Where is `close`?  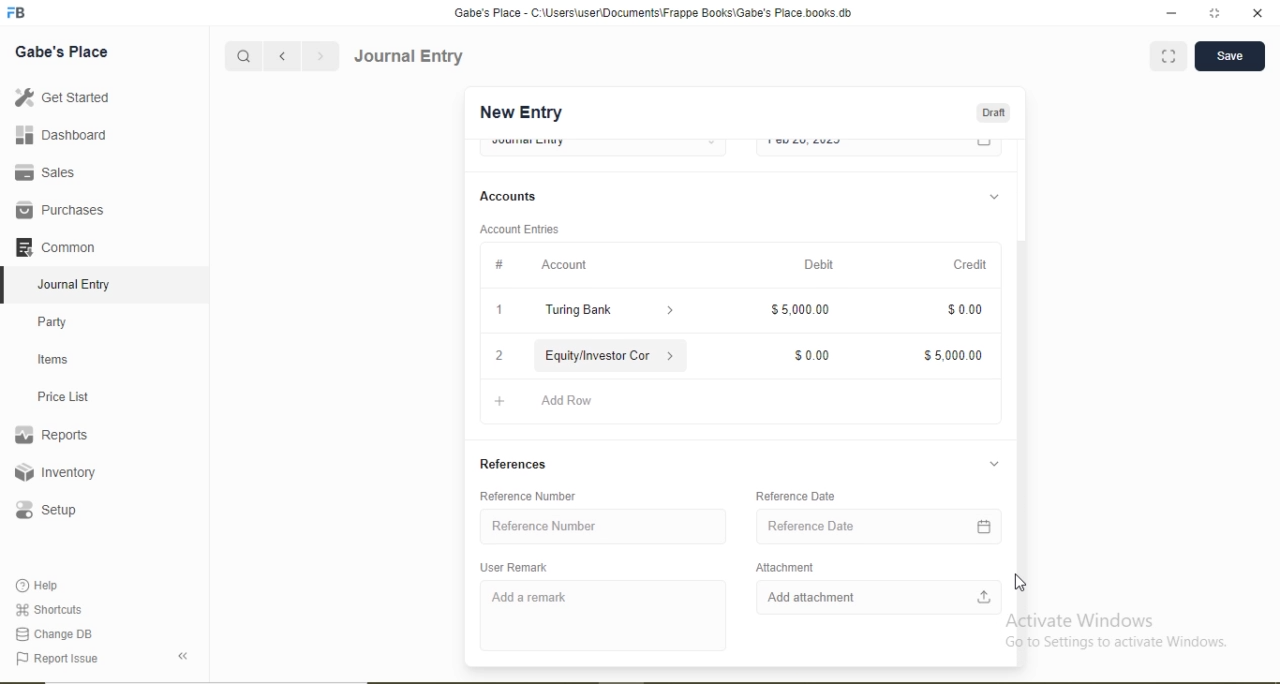
close is located at coordinates (1259, 13).